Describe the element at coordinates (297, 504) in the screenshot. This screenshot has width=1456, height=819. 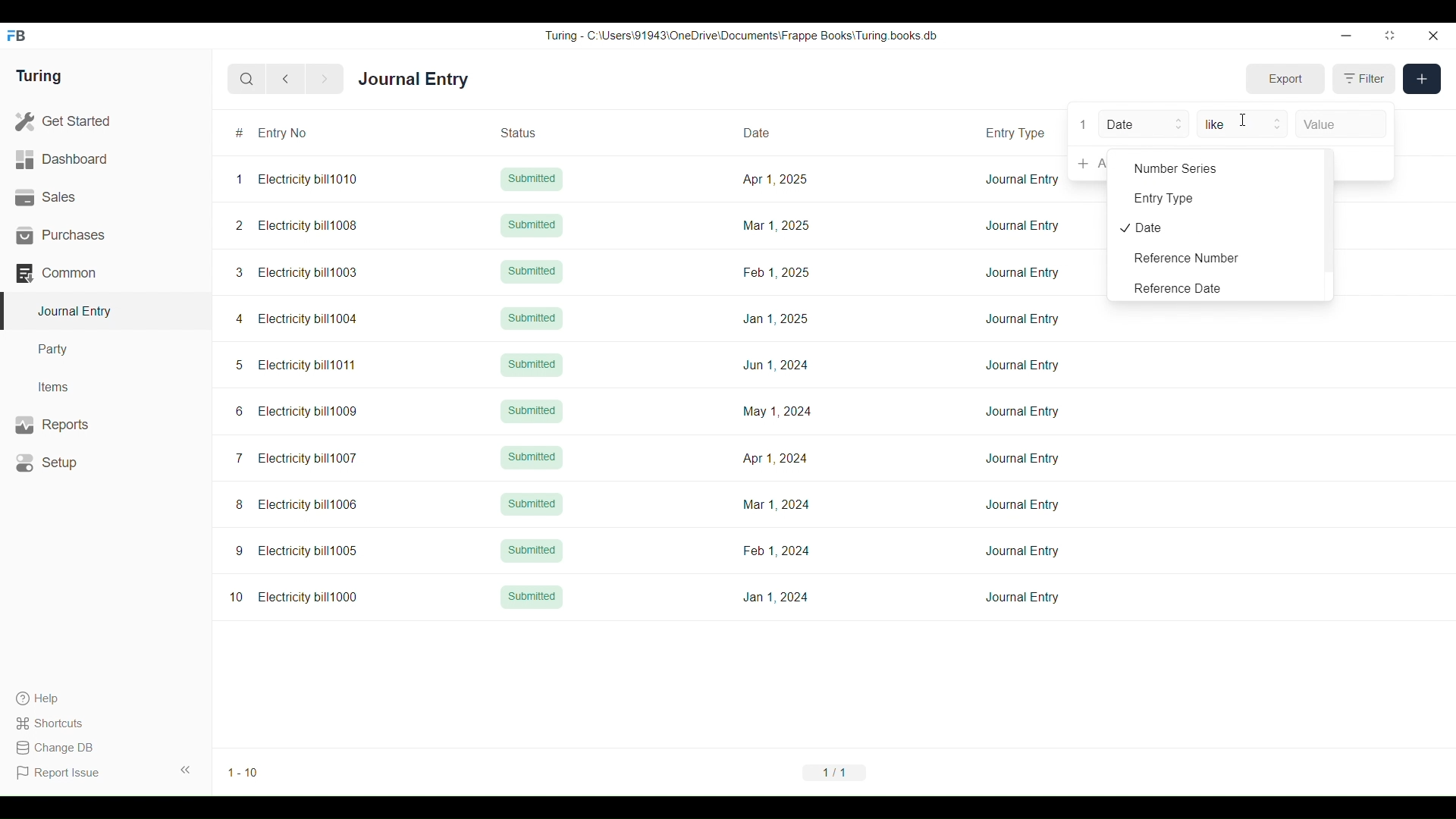
I see `8 Electricity bill1006` at that location.